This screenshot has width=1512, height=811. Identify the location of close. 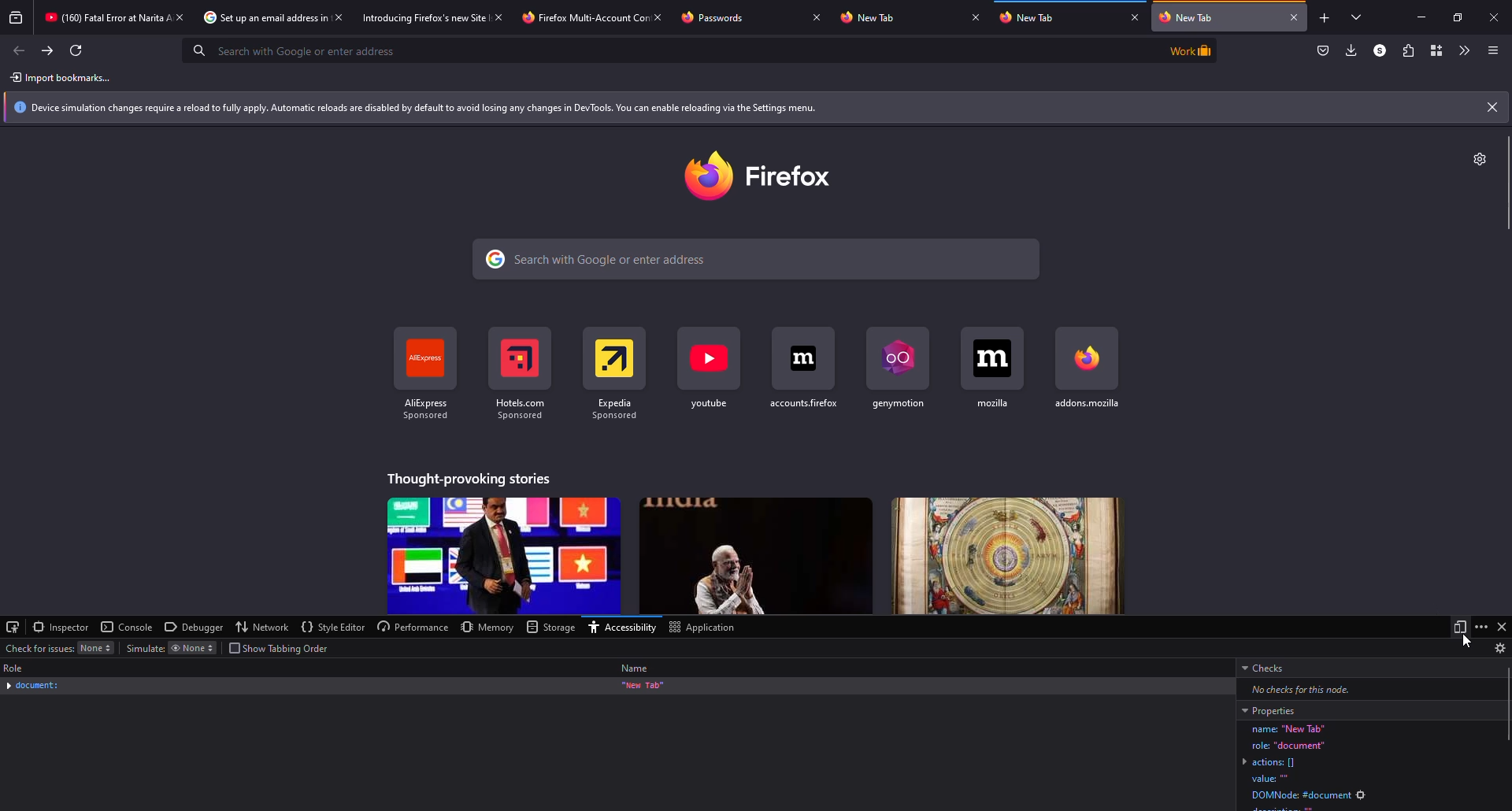
(975, 17).